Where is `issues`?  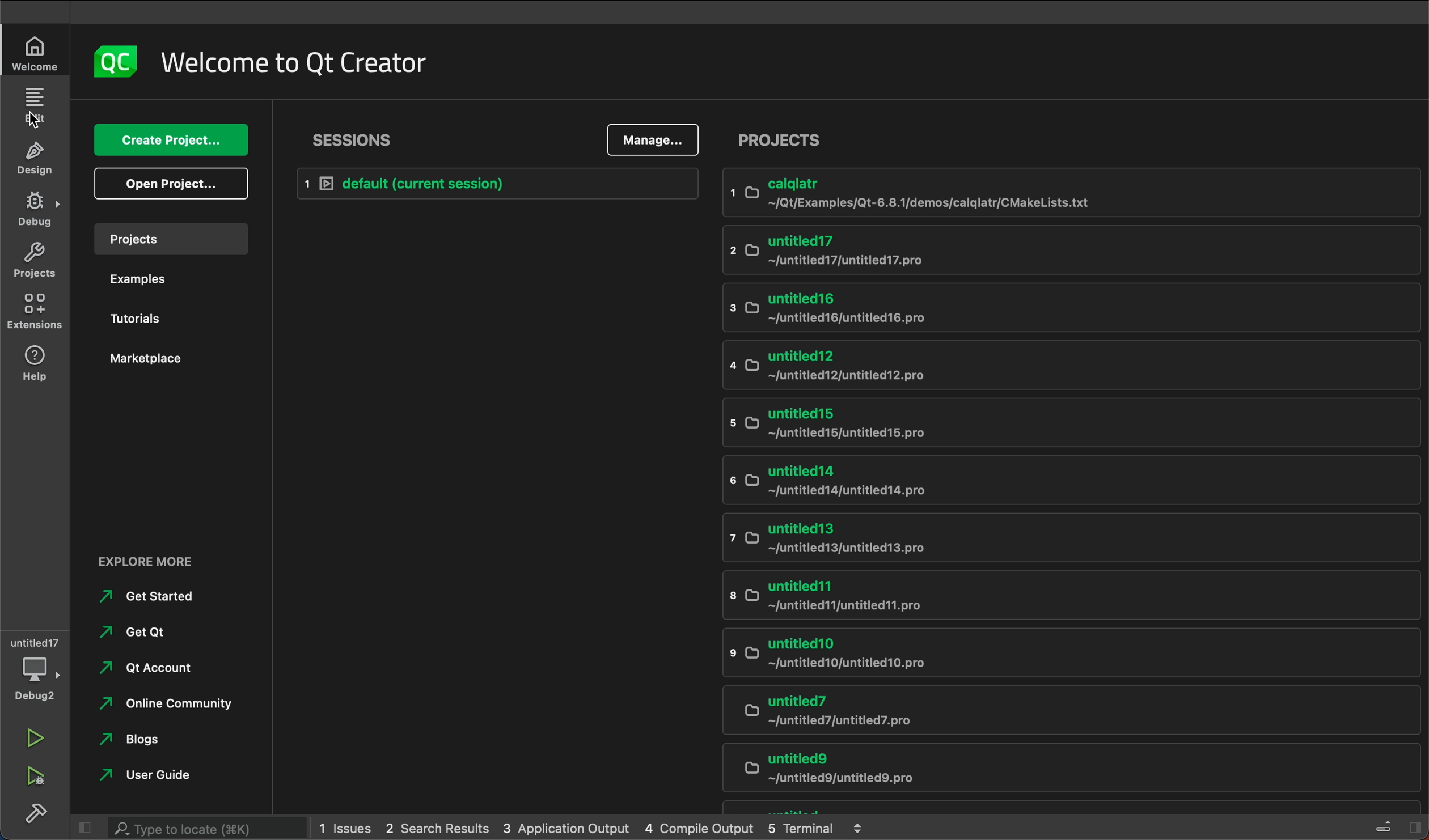 issues is located at coordinates (346, 827).